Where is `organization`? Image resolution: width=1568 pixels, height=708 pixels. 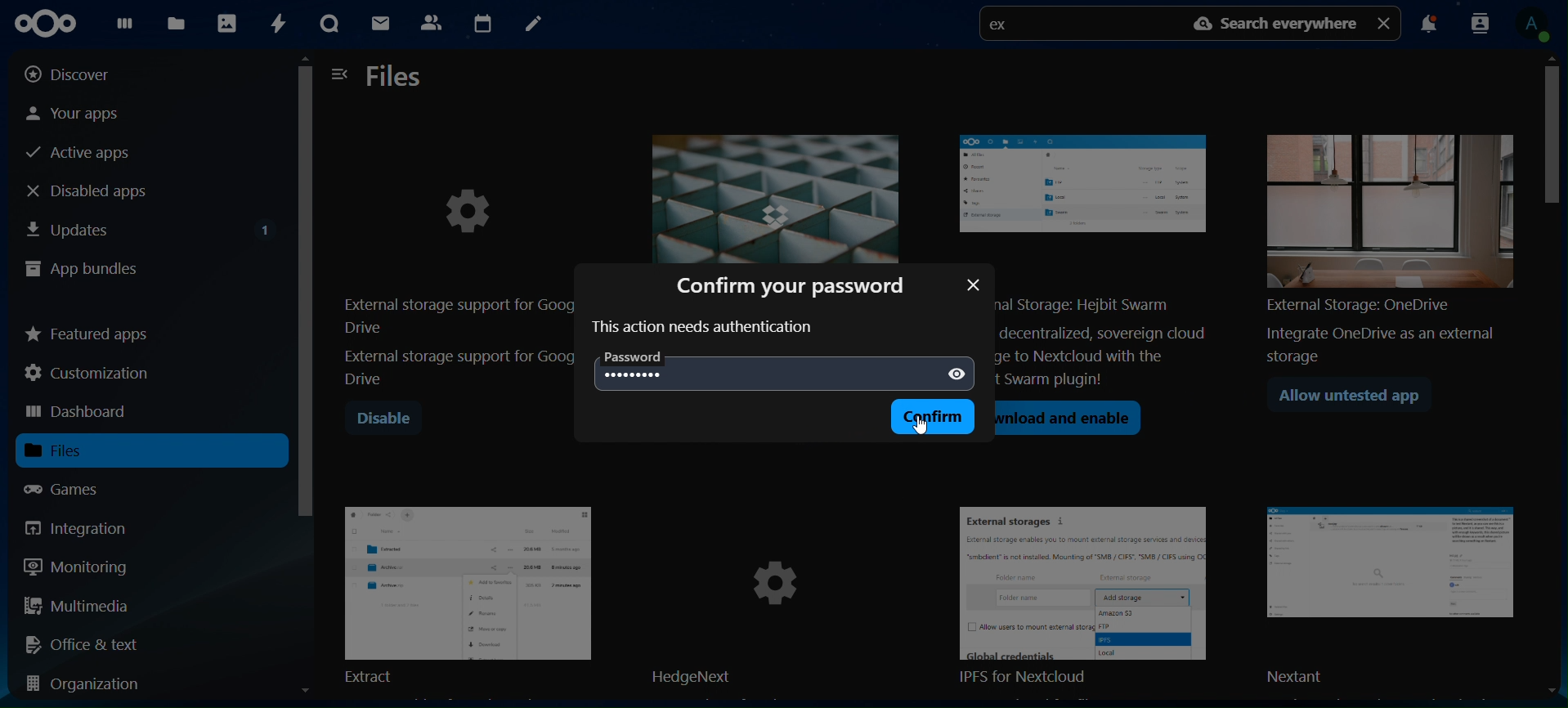
organization is located at coordinates (90, 685).